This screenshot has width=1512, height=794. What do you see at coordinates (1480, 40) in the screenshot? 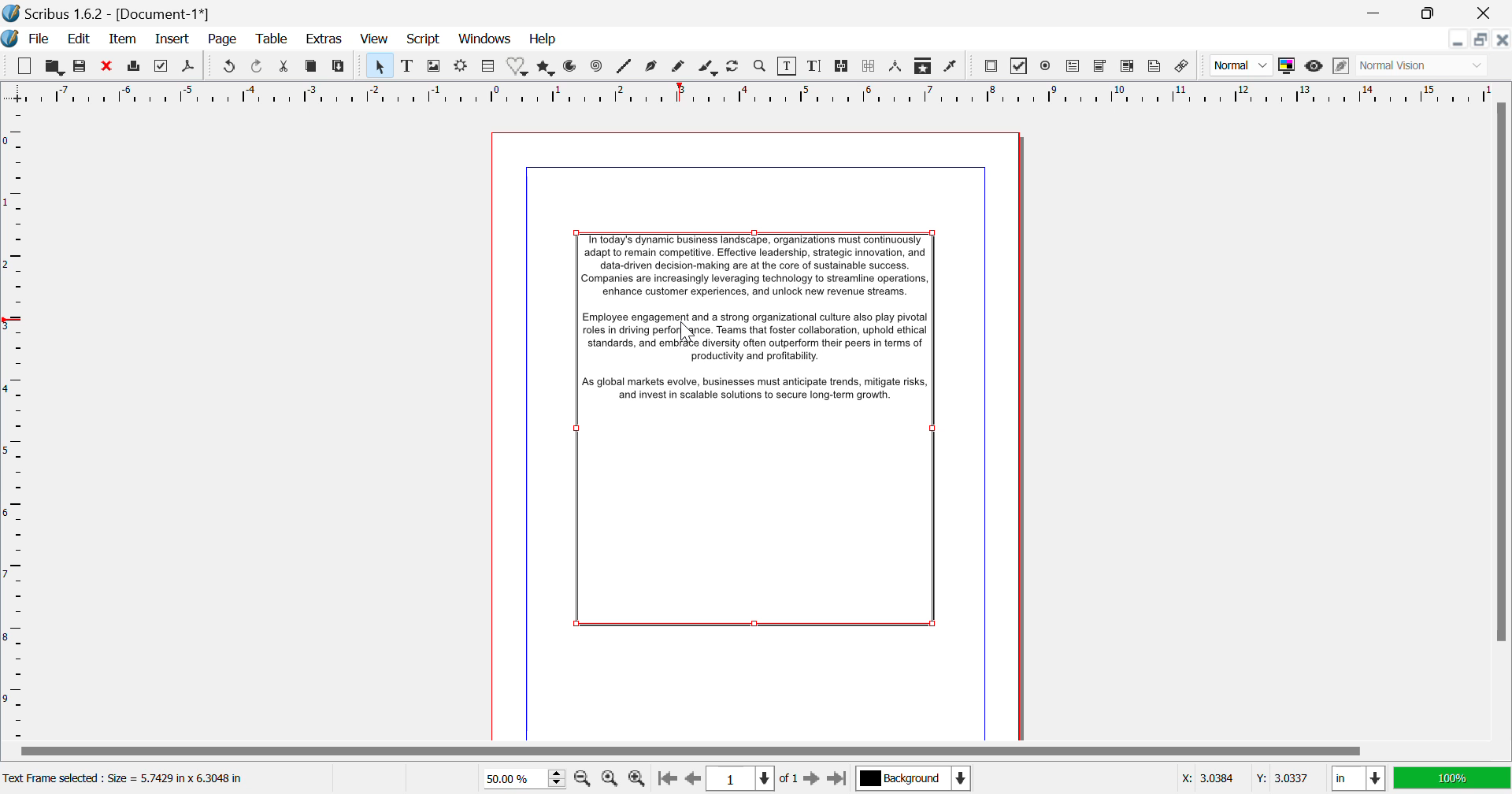
I see `Minimize` at bounding box center [1480, 40].